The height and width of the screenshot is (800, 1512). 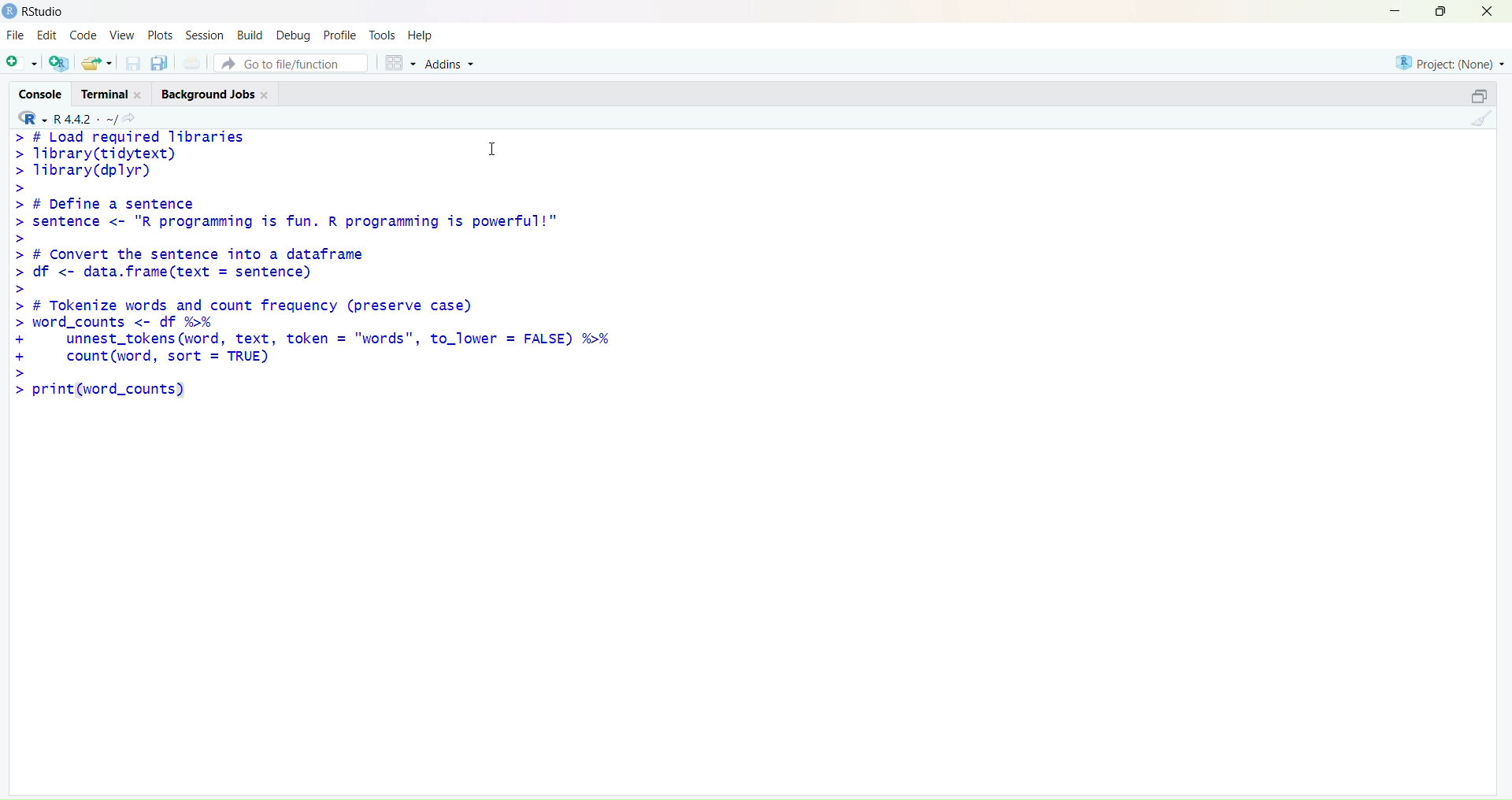 I want to click on save all open documents, so click(x=161, y=63).